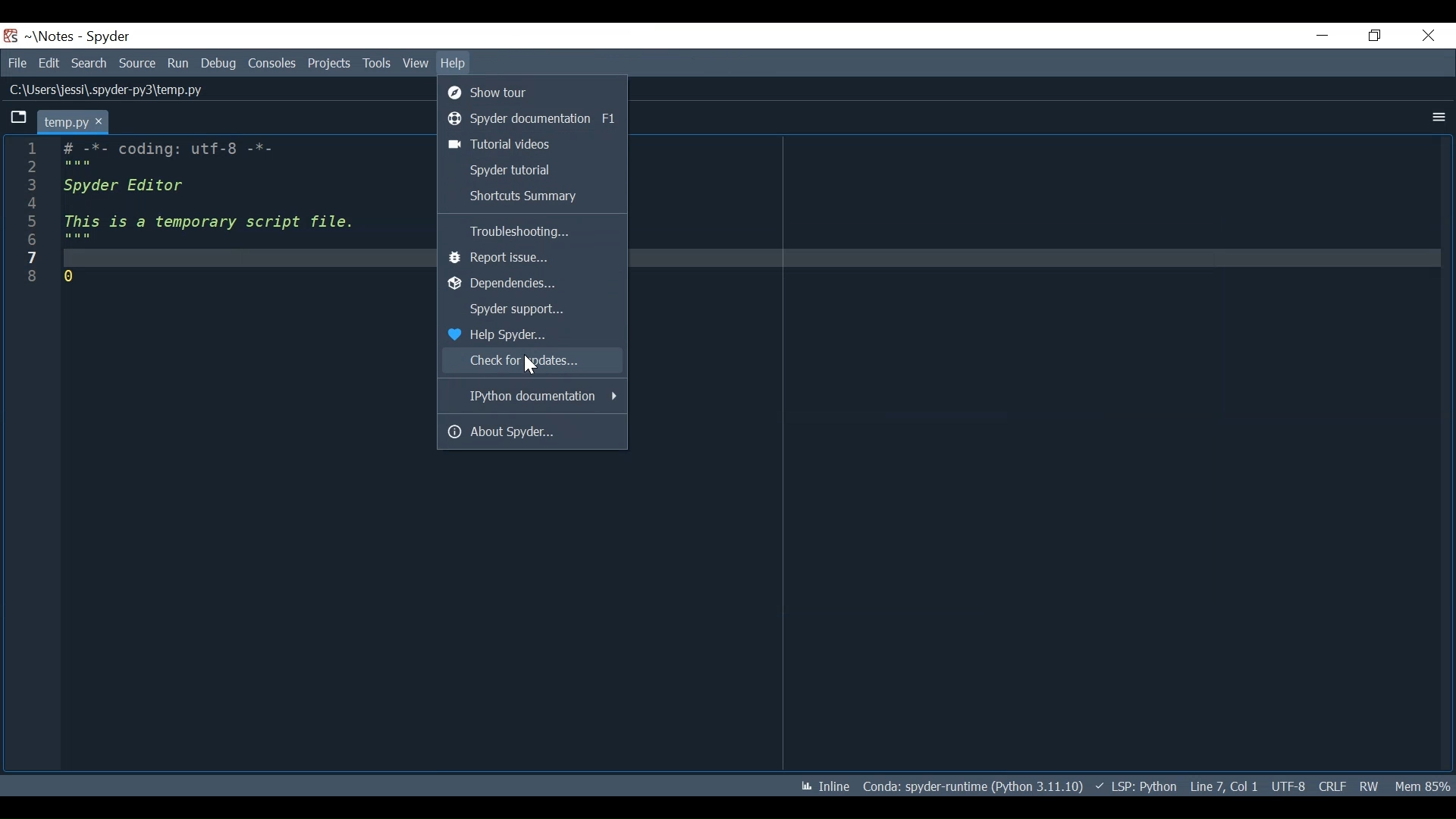 Image resolution: width=1456 pixels, height=819 pixels. Describe the element at coordinates (220, 63) in the screenshot. I see `Debug` at that location.